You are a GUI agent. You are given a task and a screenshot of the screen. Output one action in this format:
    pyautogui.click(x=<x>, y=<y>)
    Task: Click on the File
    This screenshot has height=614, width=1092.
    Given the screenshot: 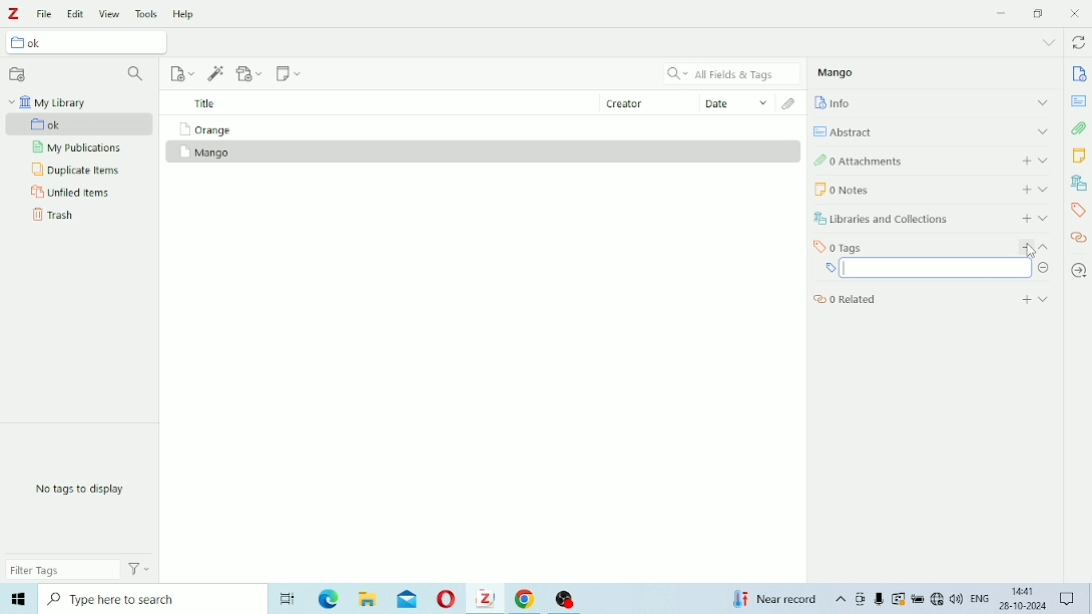 What is the action you would take?
    pyautogui.click(x=45, y=14)
    